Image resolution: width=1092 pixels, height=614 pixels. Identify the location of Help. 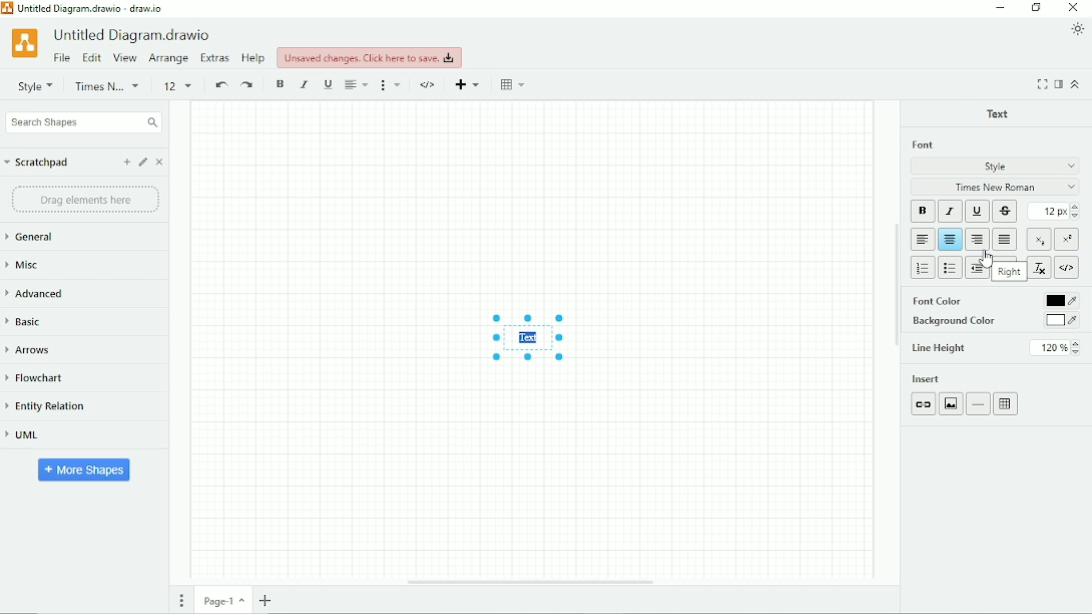
(255, 58).